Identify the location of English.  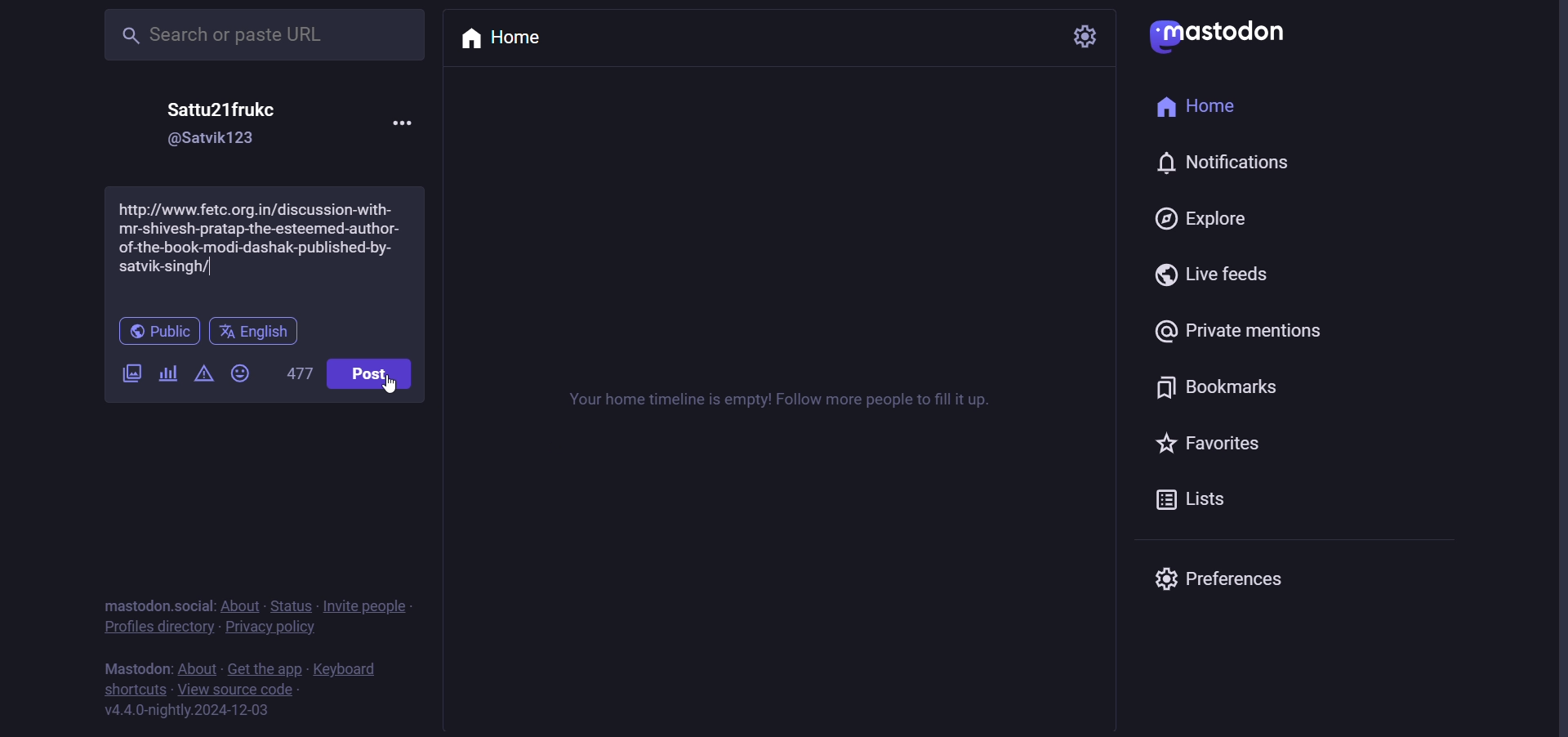
(255, 332).